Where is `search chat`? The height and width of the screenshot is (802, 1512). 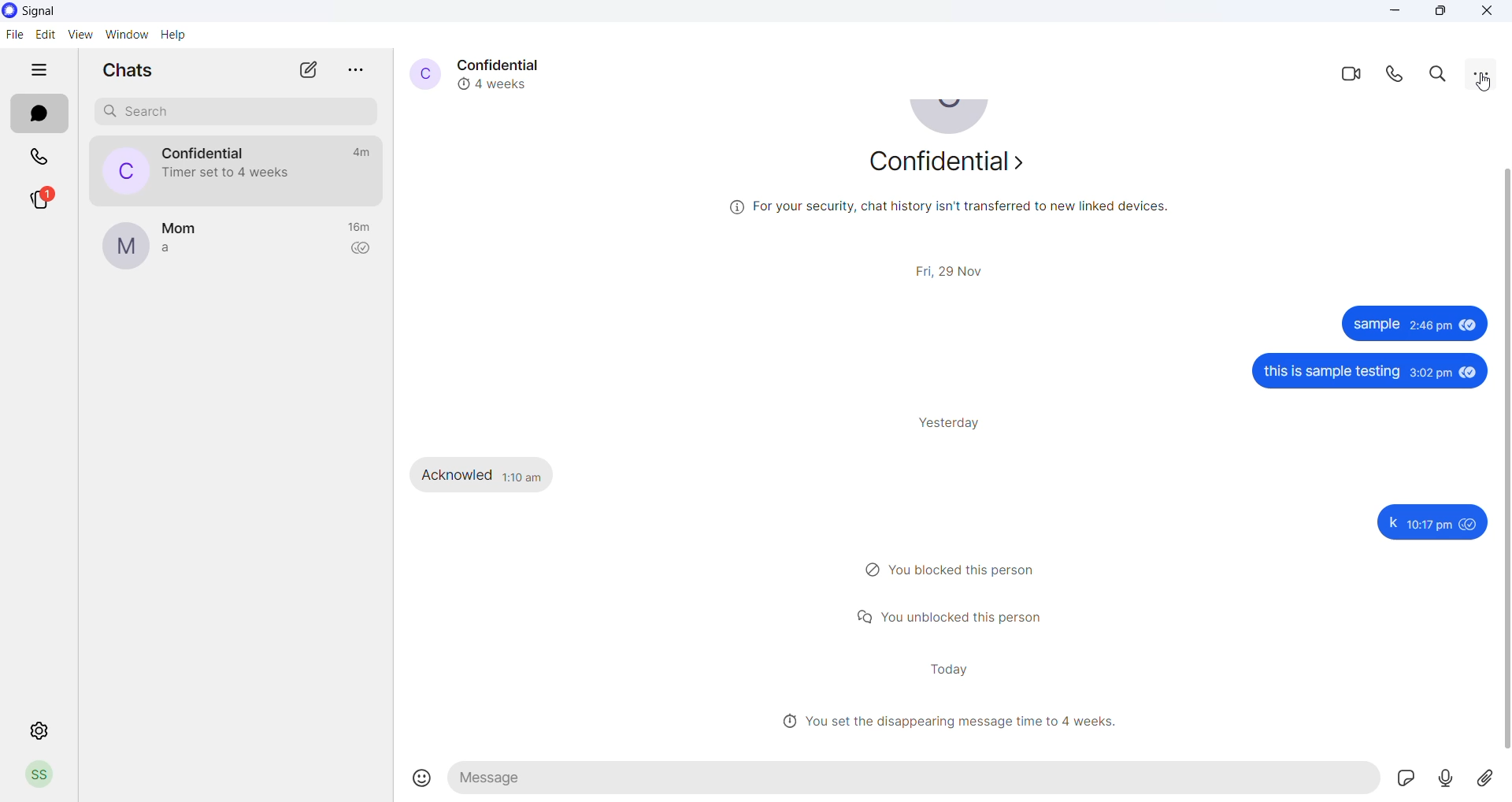 search chat is located at coordinates (230, 113).